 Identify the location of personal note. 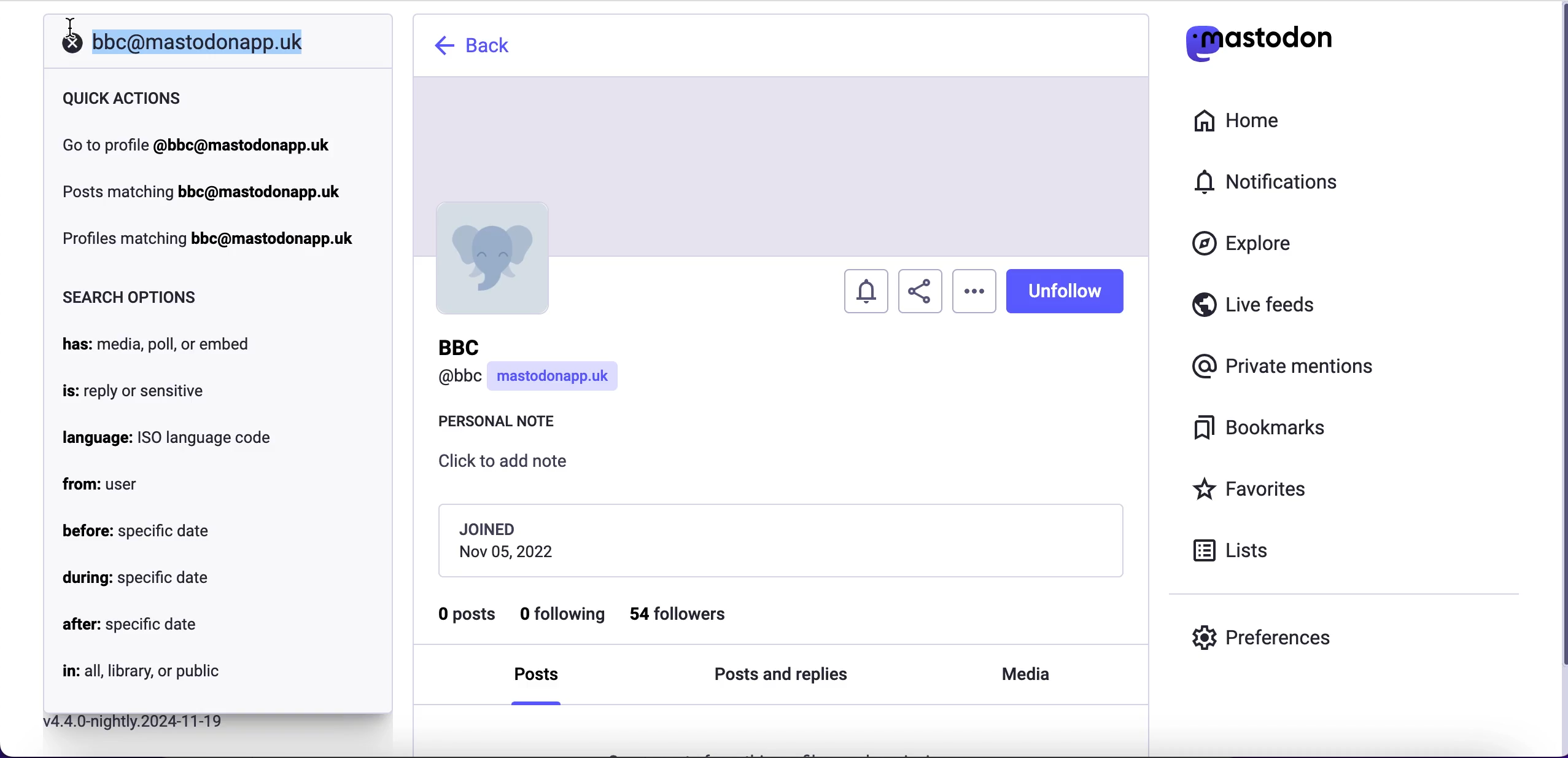
(503, 424).